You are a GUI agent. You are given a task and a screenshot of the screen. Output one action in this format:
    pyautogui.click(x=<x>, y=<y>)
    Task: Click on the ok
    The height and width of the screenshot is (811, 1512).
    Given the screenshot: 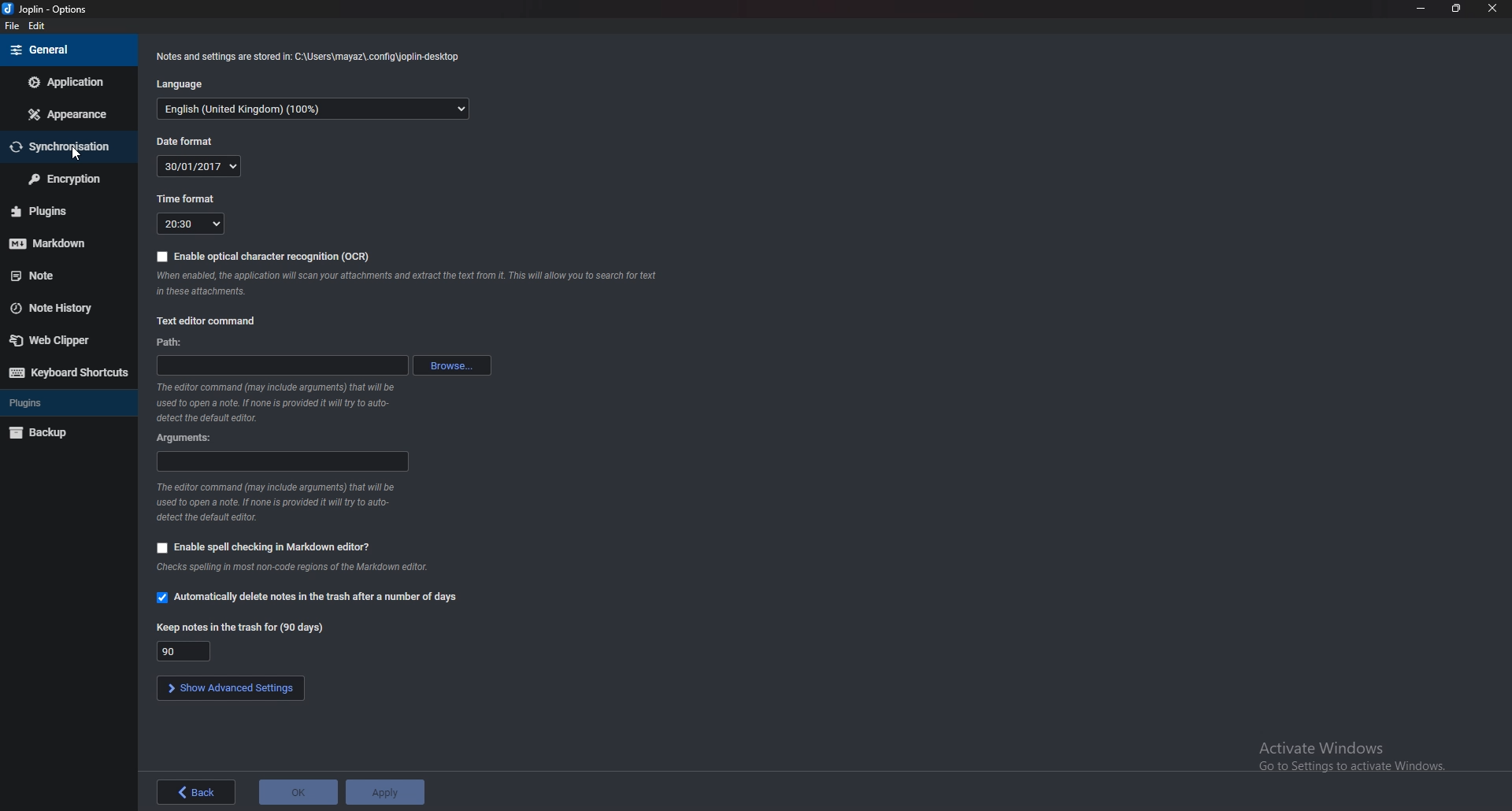 What is the action you would take?
    pyautogui.click(x=296, y=791)
    